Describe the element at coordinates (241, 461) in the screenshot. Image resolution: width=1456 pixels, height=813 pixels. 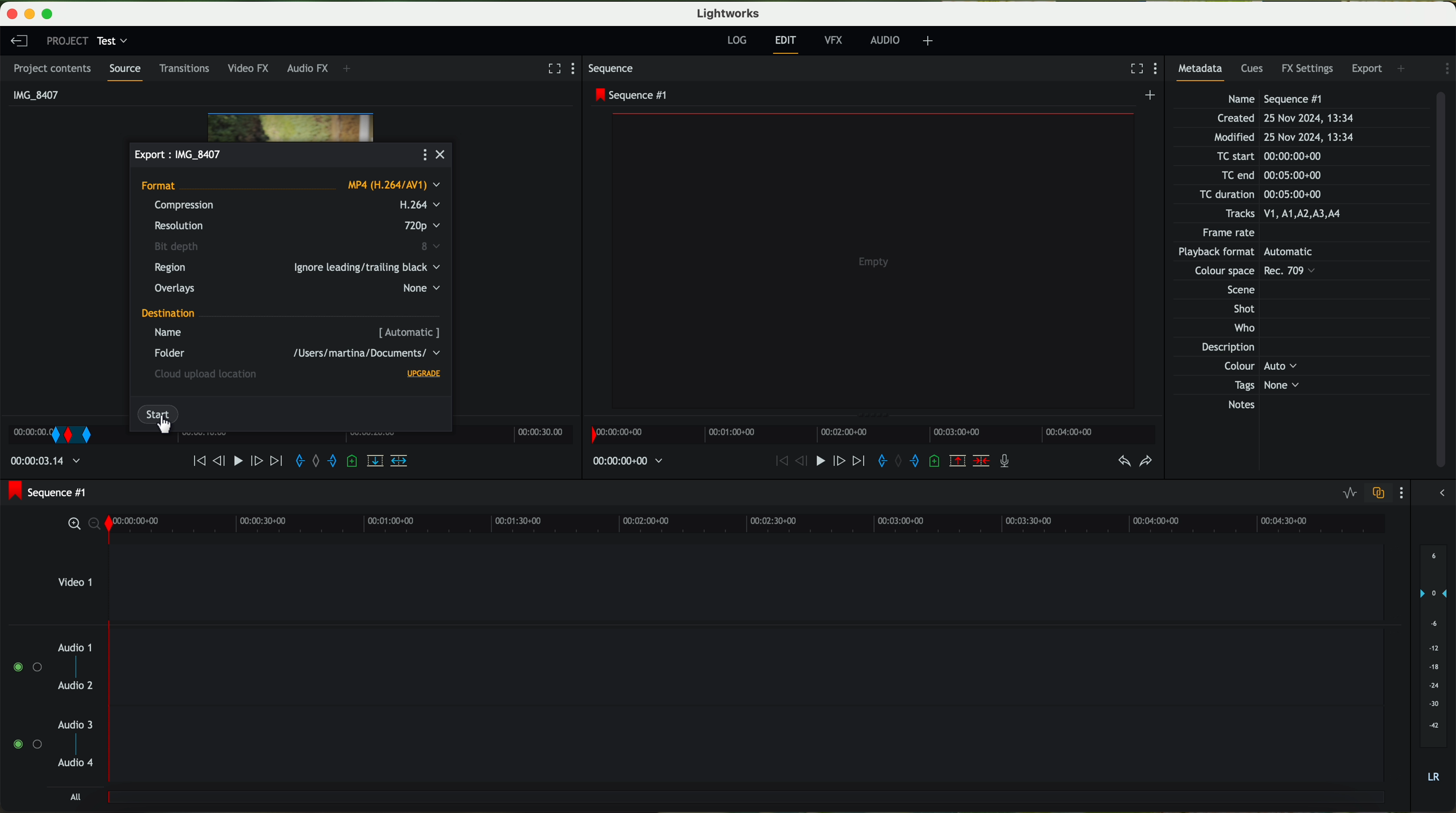
I see ` play` at that location.